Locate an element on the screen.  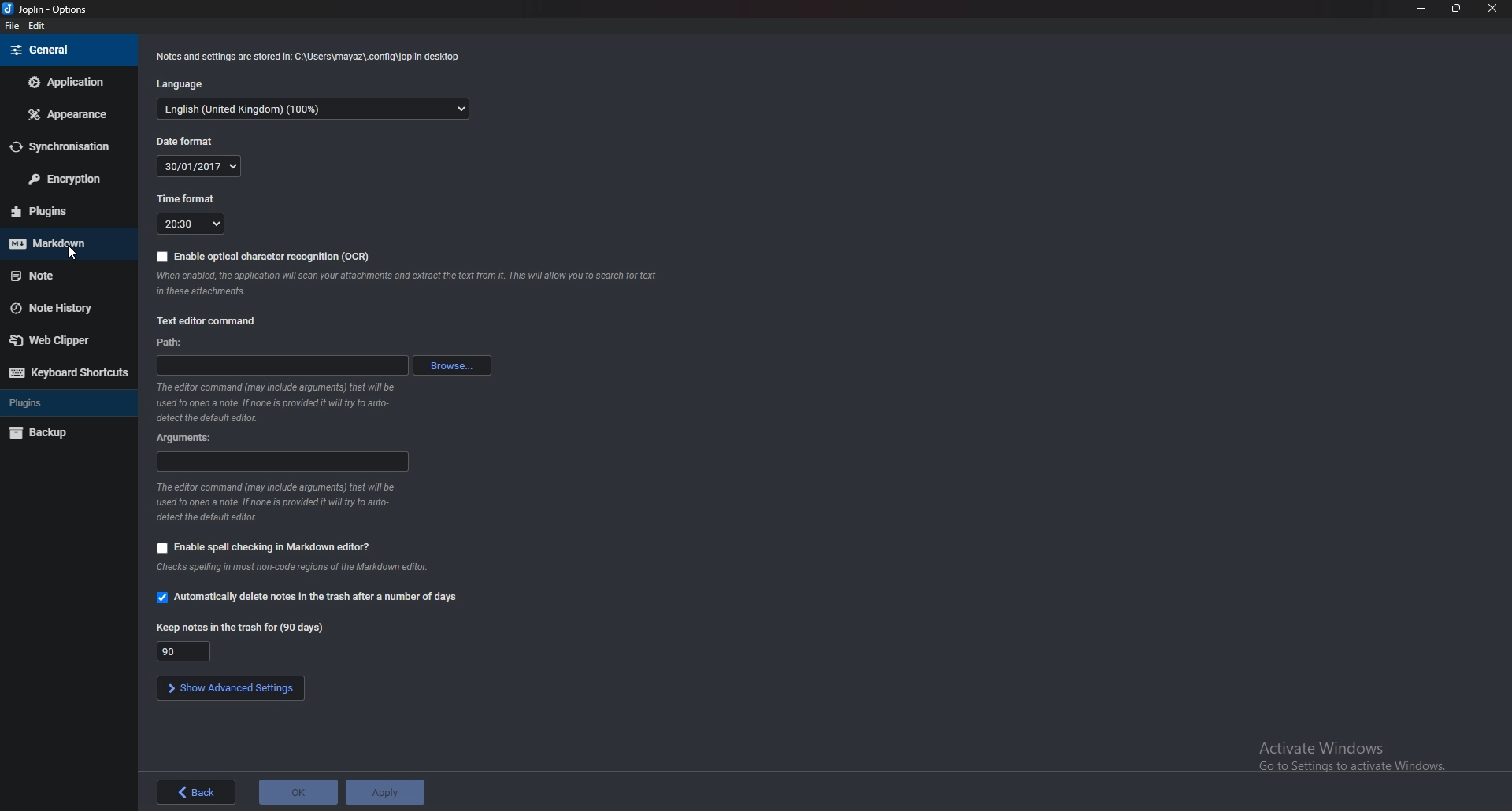
edit is located at coordinates (40, 28).